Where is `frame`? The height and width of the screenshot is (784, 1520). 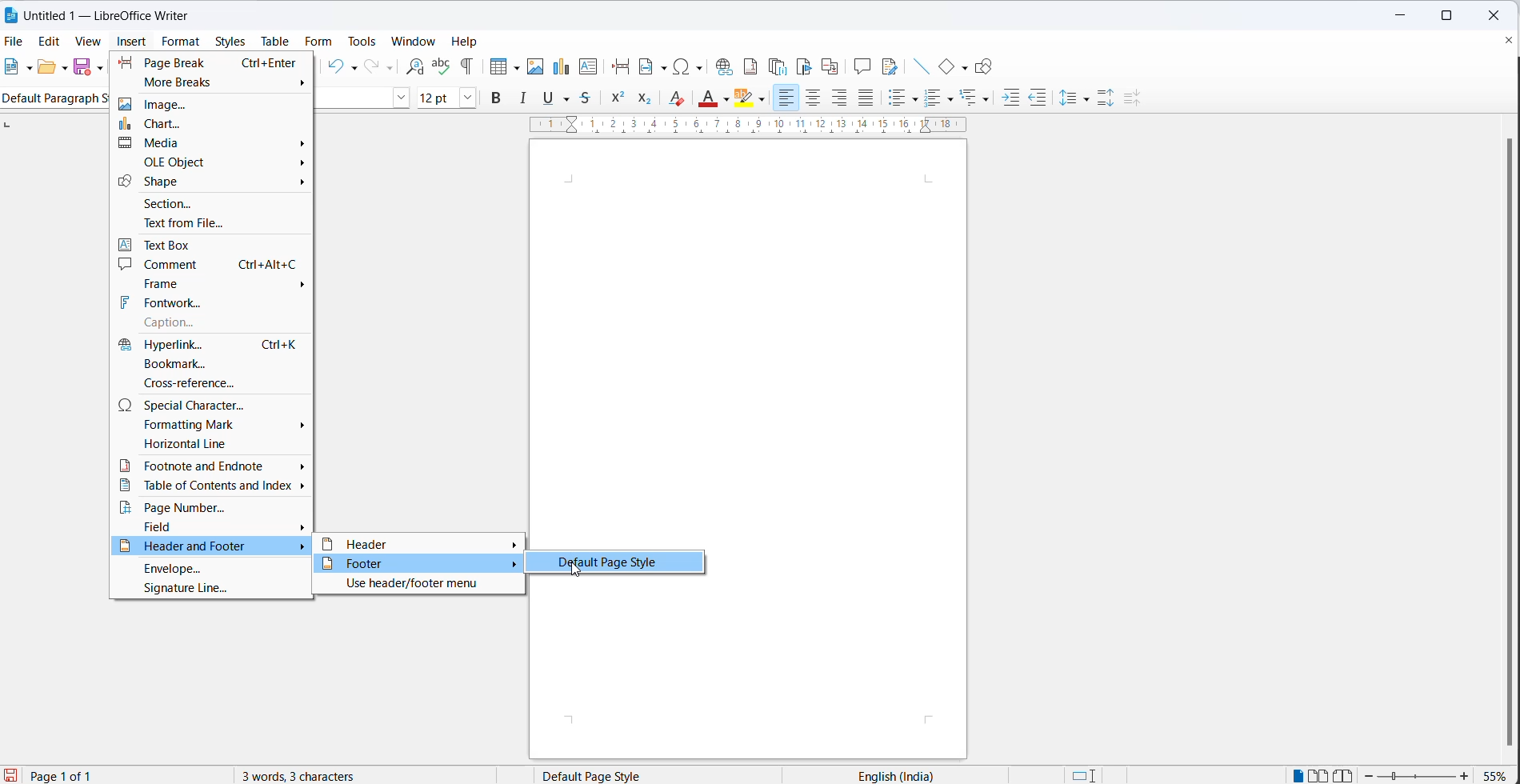
frame is located at coordinates (210, 286).